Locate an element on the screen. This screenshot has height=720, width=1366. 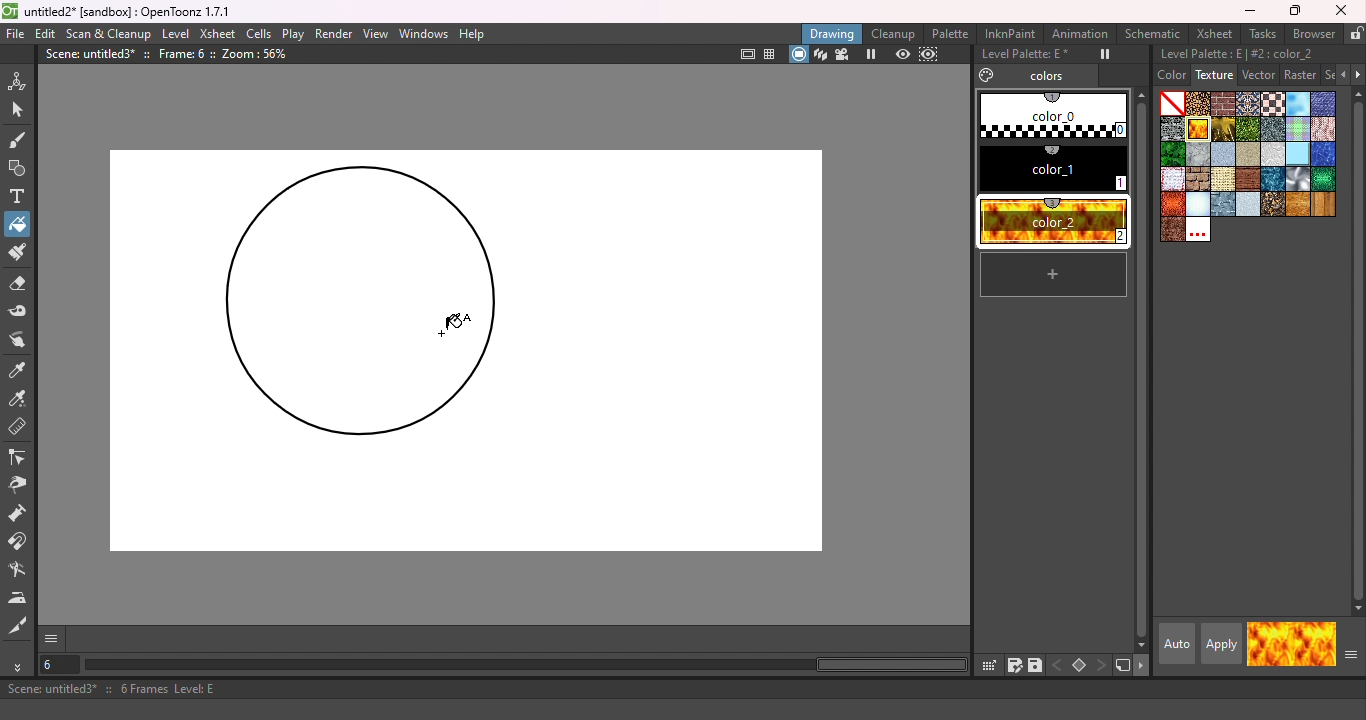
knit_s.bmp is located at coordinates (1323, 129).